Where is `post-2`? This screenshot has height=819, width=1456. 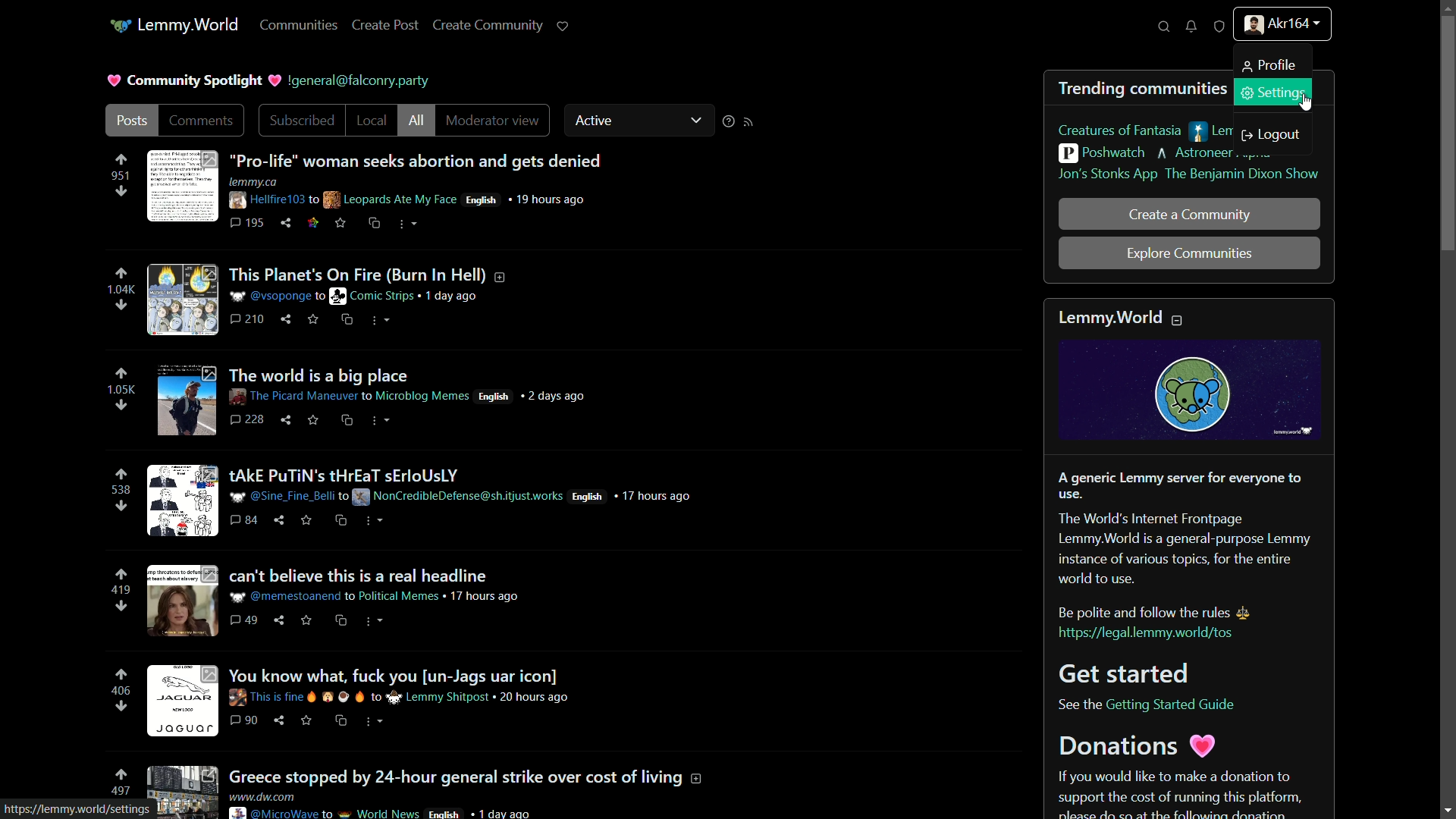
post-2 is located at coordinates (327, 297).